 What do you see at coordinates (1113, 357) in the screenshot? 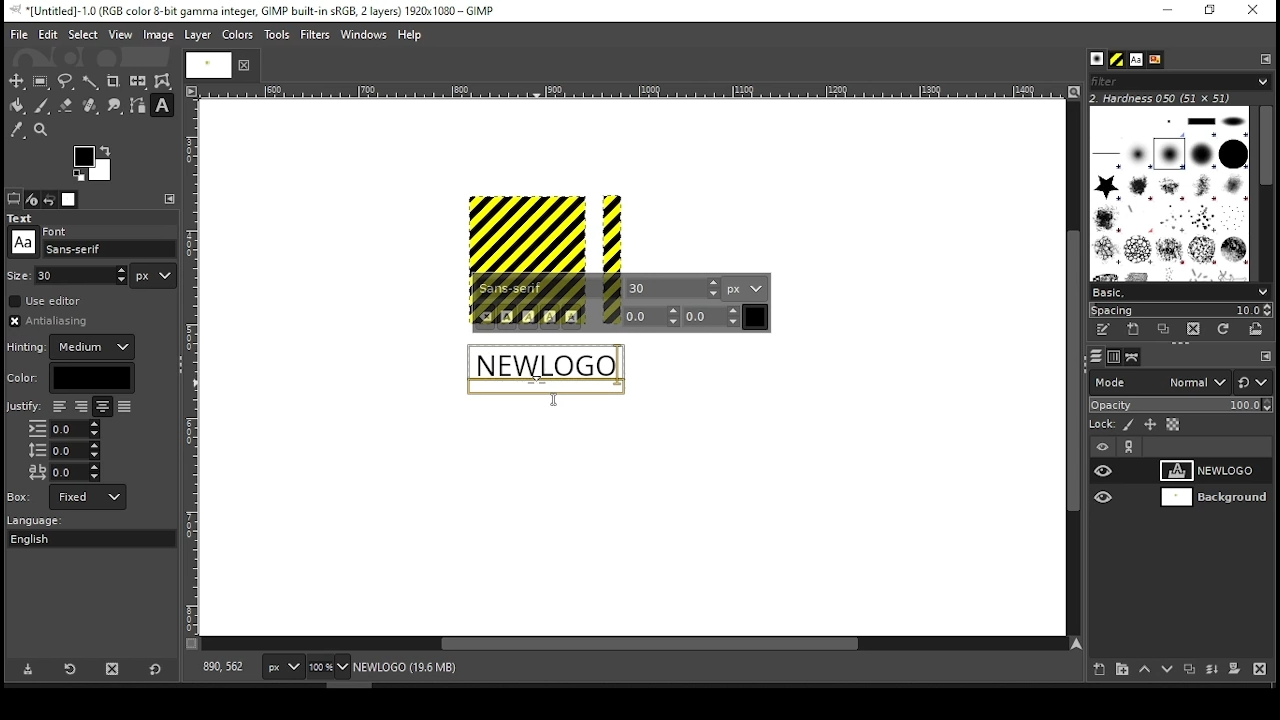
I see `channels` at bounding box center [1113, 357].